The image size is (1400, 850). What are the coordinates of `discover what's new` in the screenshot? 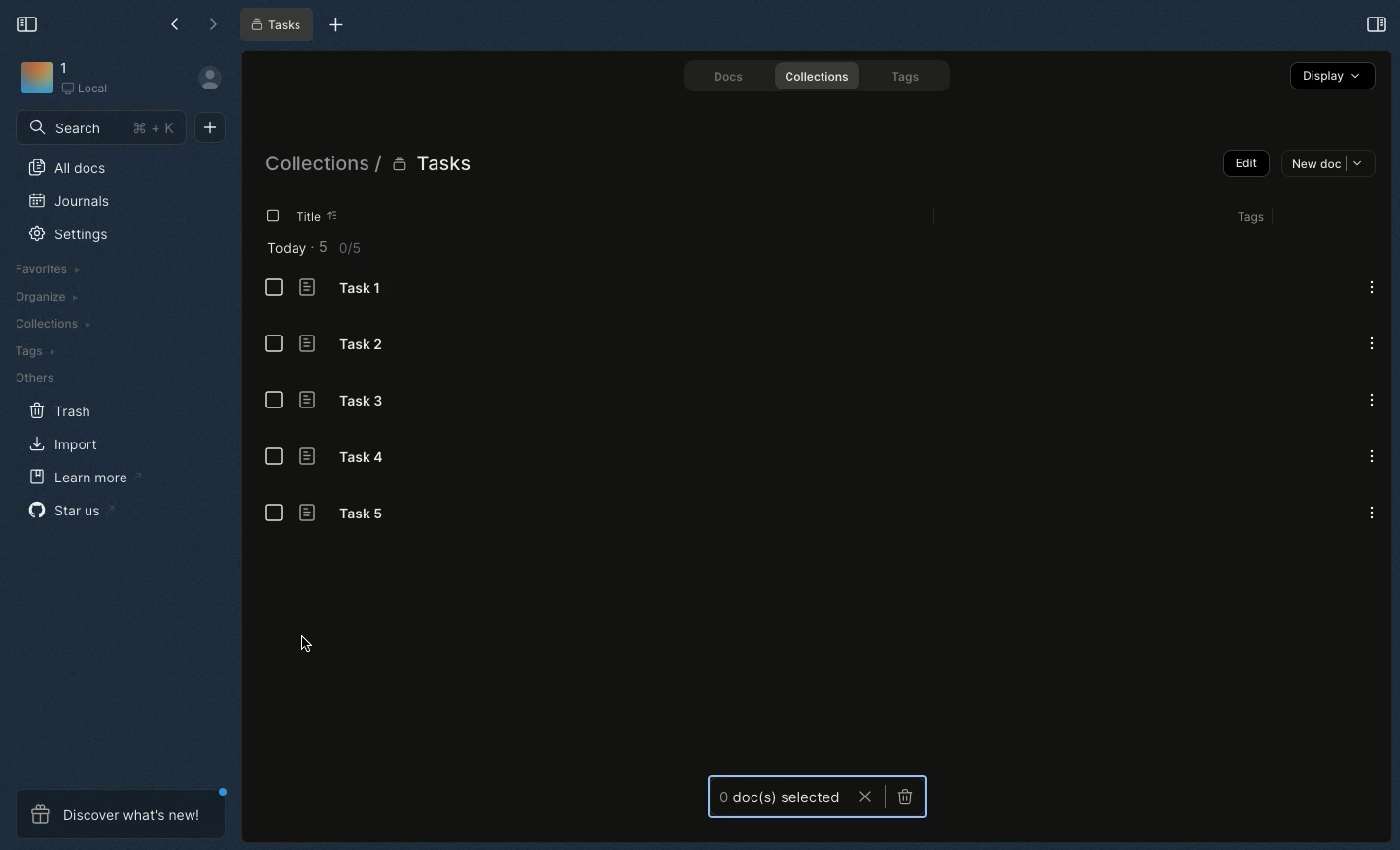 It's located at (125, 814).